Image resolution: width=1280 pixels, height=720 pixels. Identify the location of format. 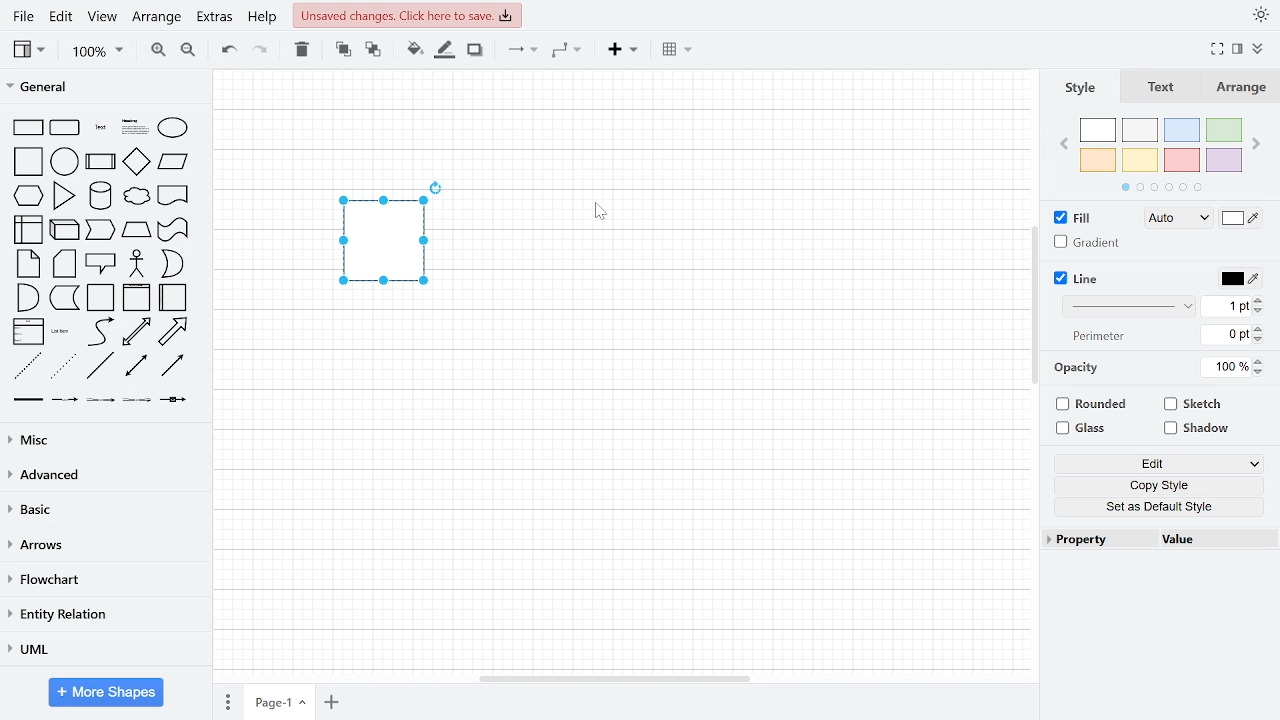
(1238, 49).